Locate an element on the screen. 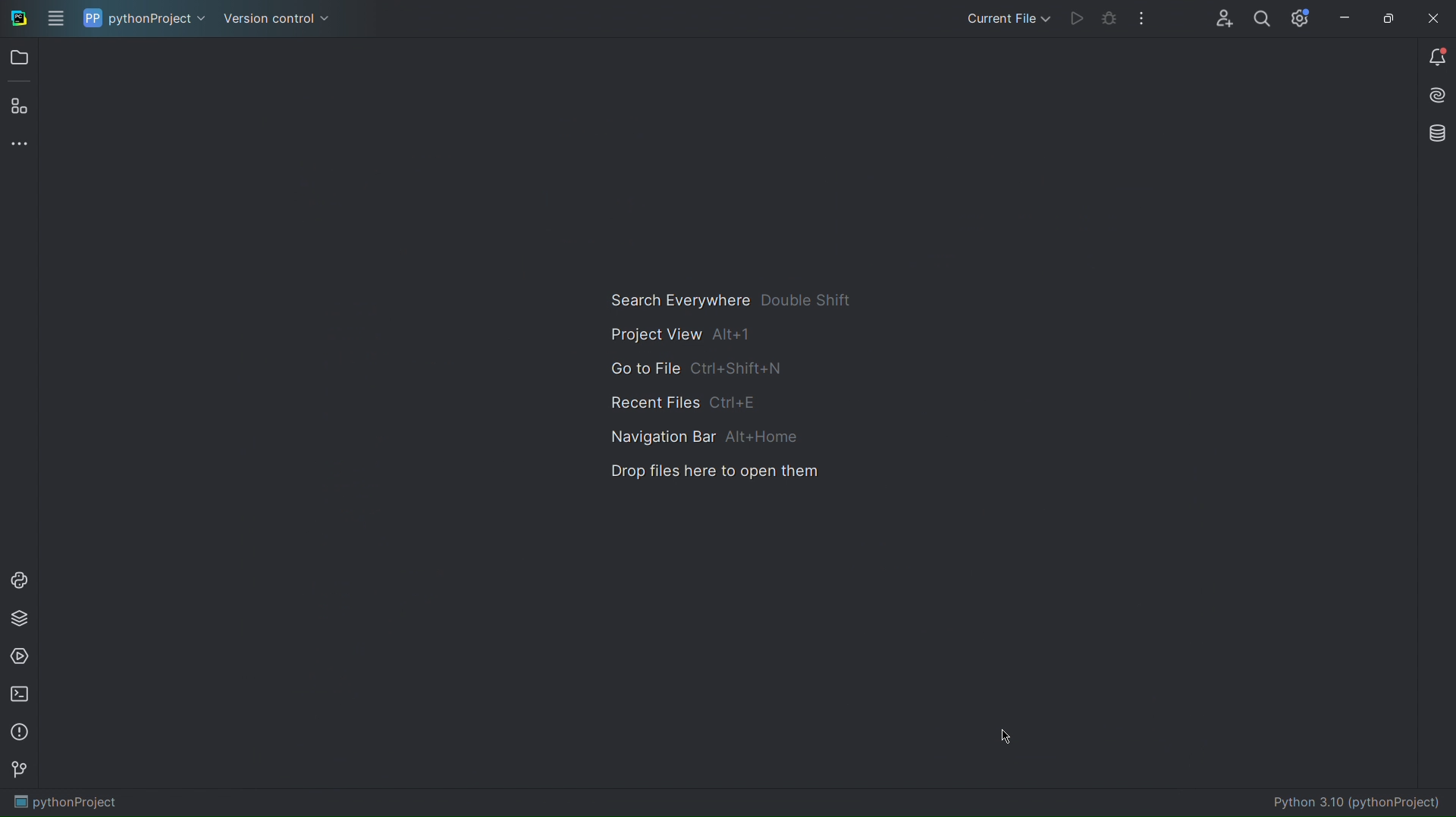 The height and width of the screenshot is (817, 1456). Maximize is located at coordinates (1386, 19).